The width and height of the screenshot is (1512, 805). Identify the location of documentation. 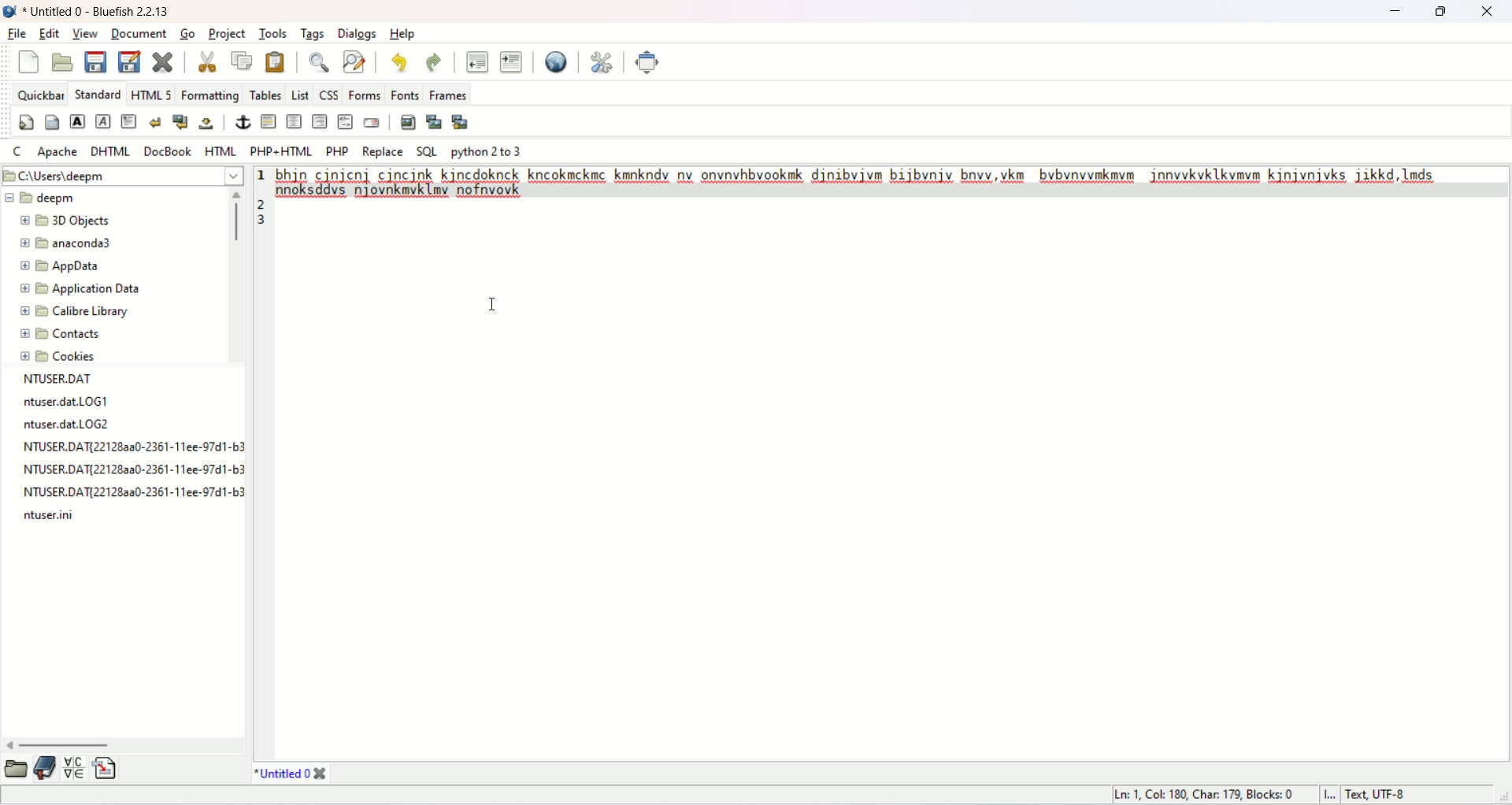
(44, 765).